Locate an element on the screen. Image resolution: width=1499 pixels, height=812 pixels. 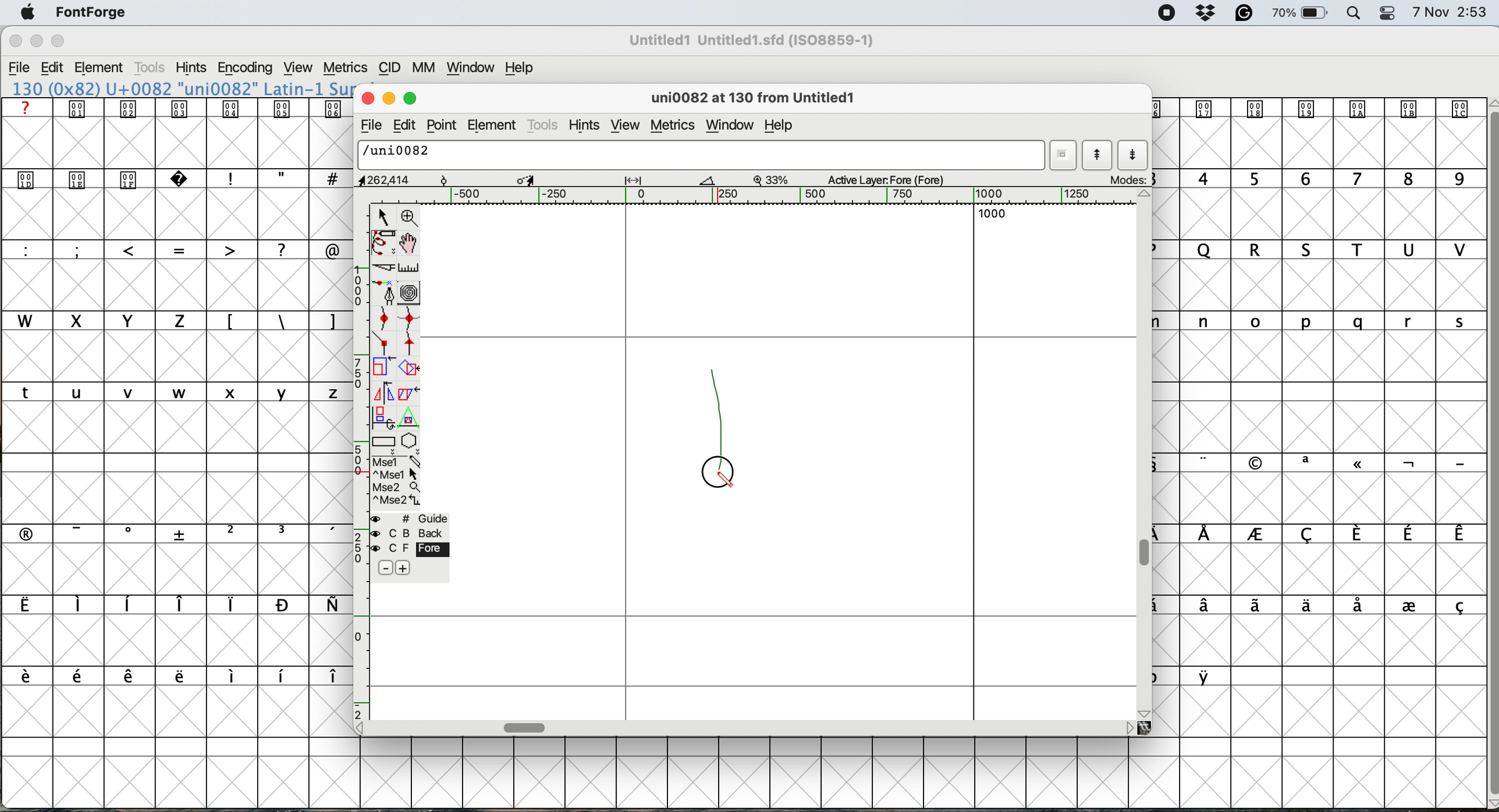
hints is located at coordinates (588, 126).